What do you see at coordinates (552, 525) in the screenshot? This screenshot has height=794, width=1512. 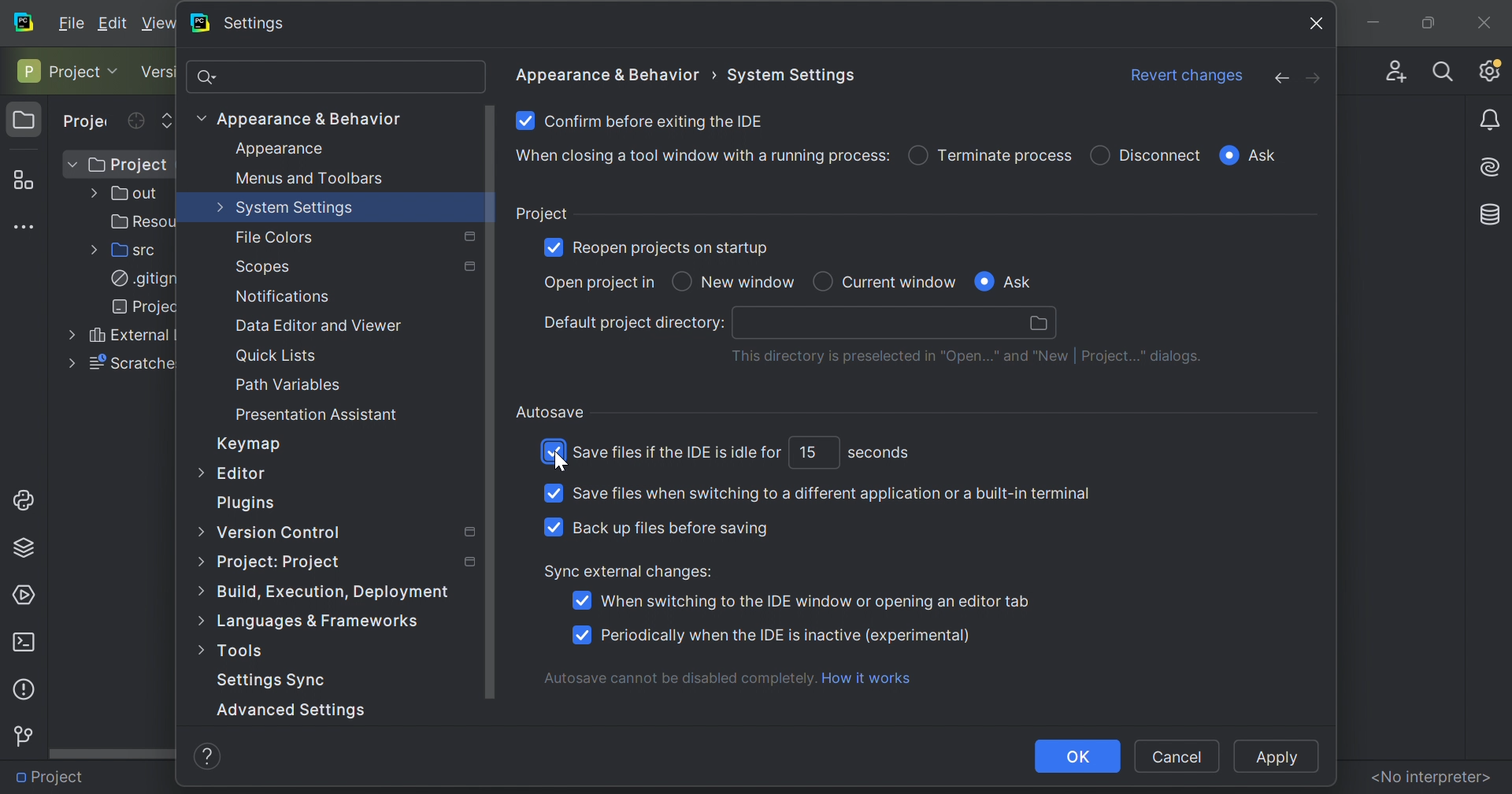 I see `Checkbox` at bounding box center [552, 525].